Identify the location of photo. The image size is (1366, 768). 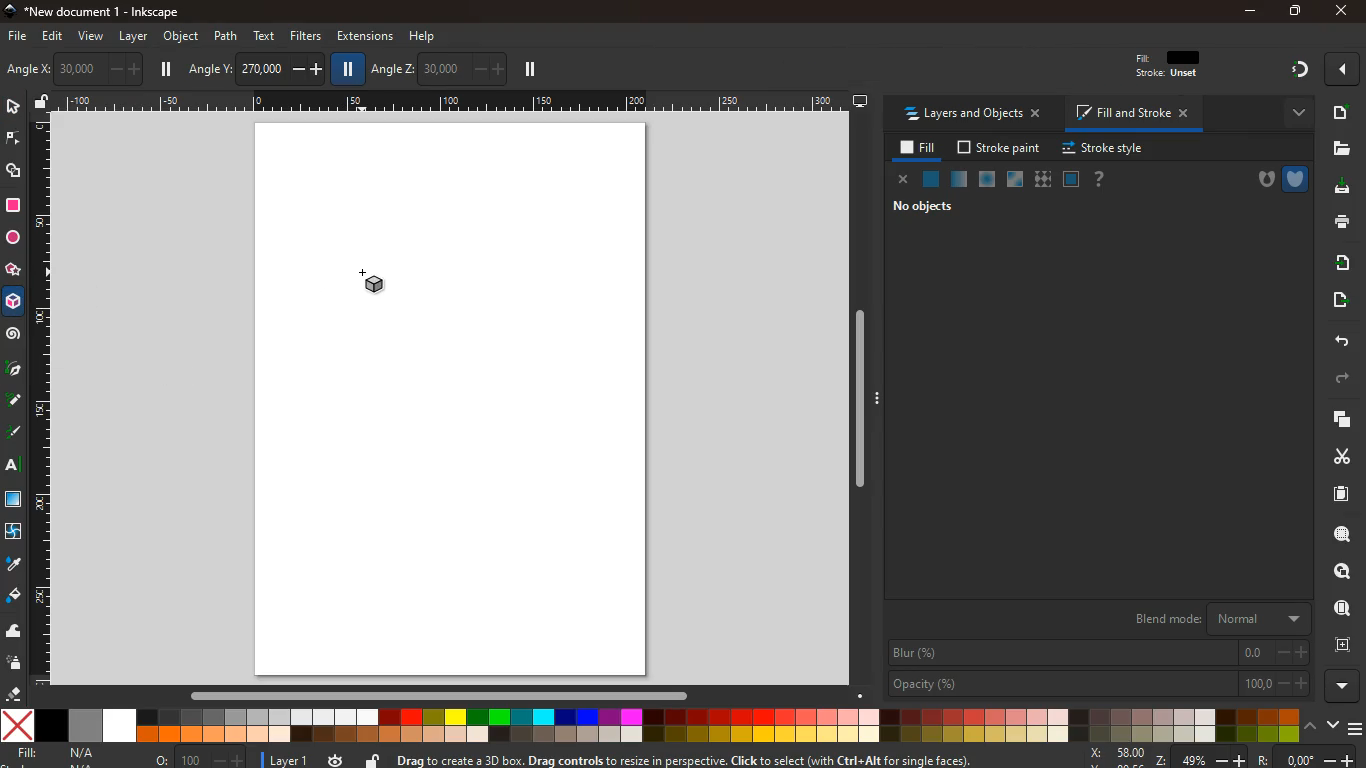
(21, 70).